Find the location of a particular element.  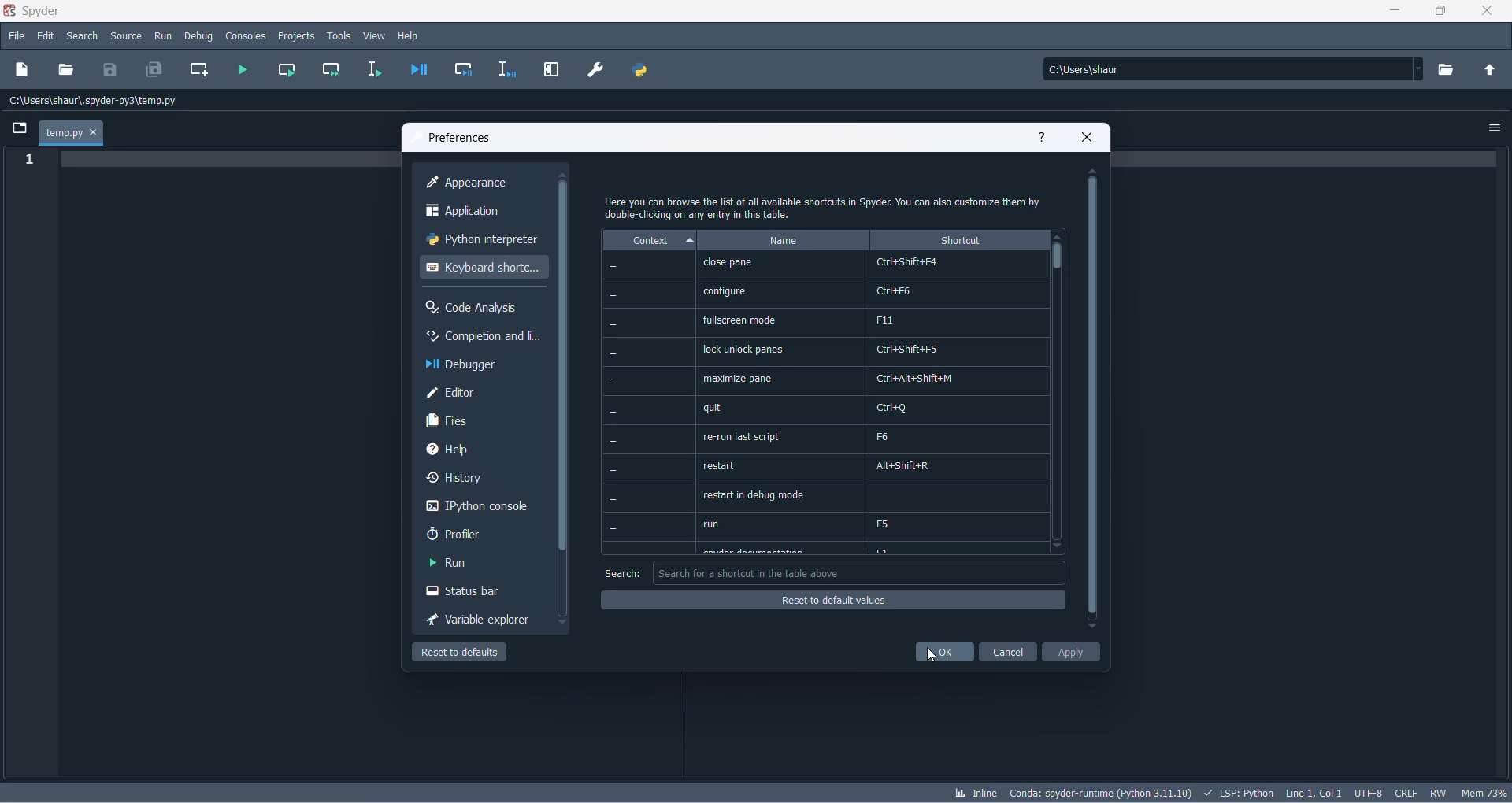

scrollbar is located at coordinates (1061, 259).